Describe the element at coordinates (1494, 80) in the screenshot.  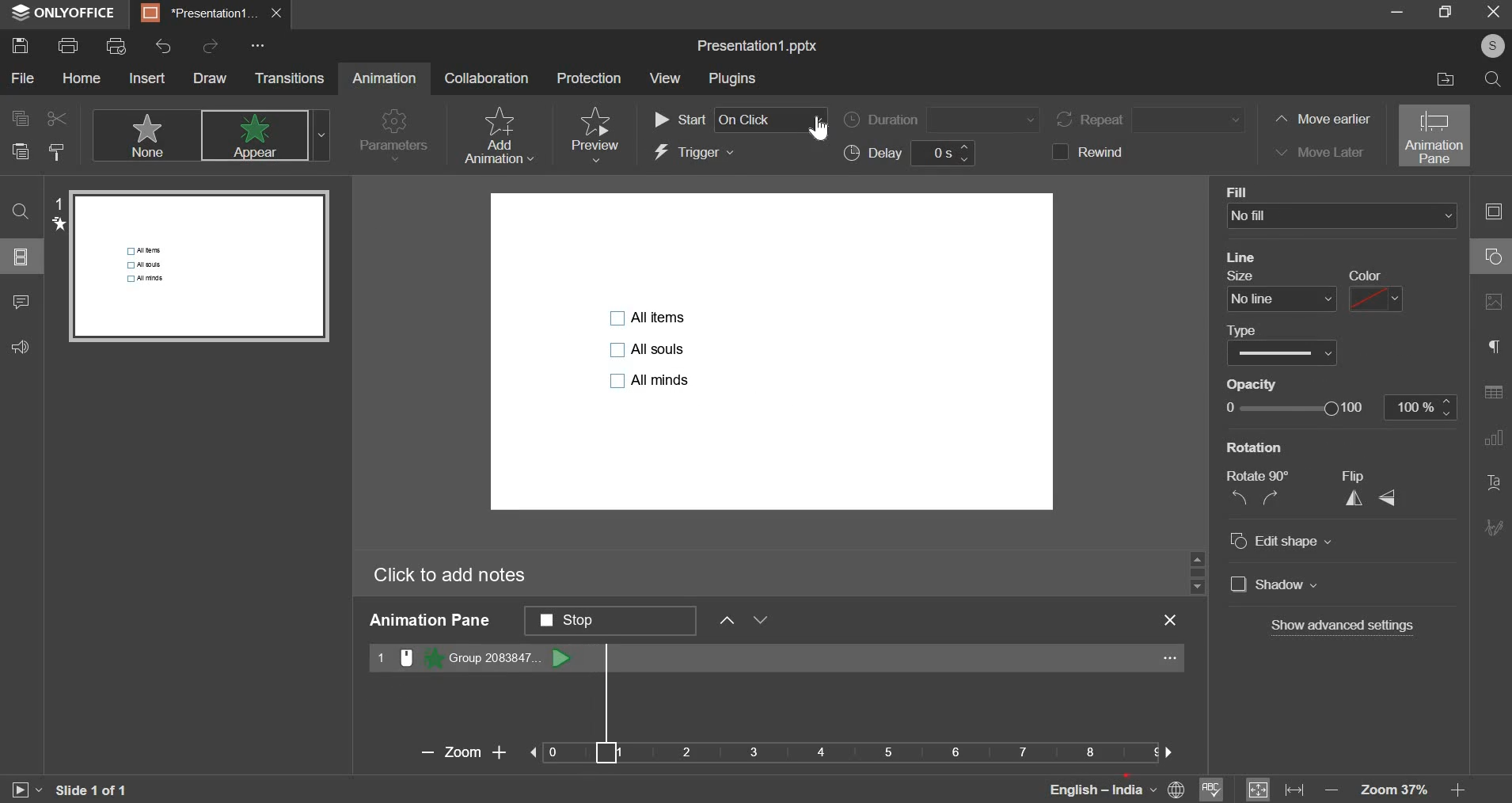
I see `search` at that location.